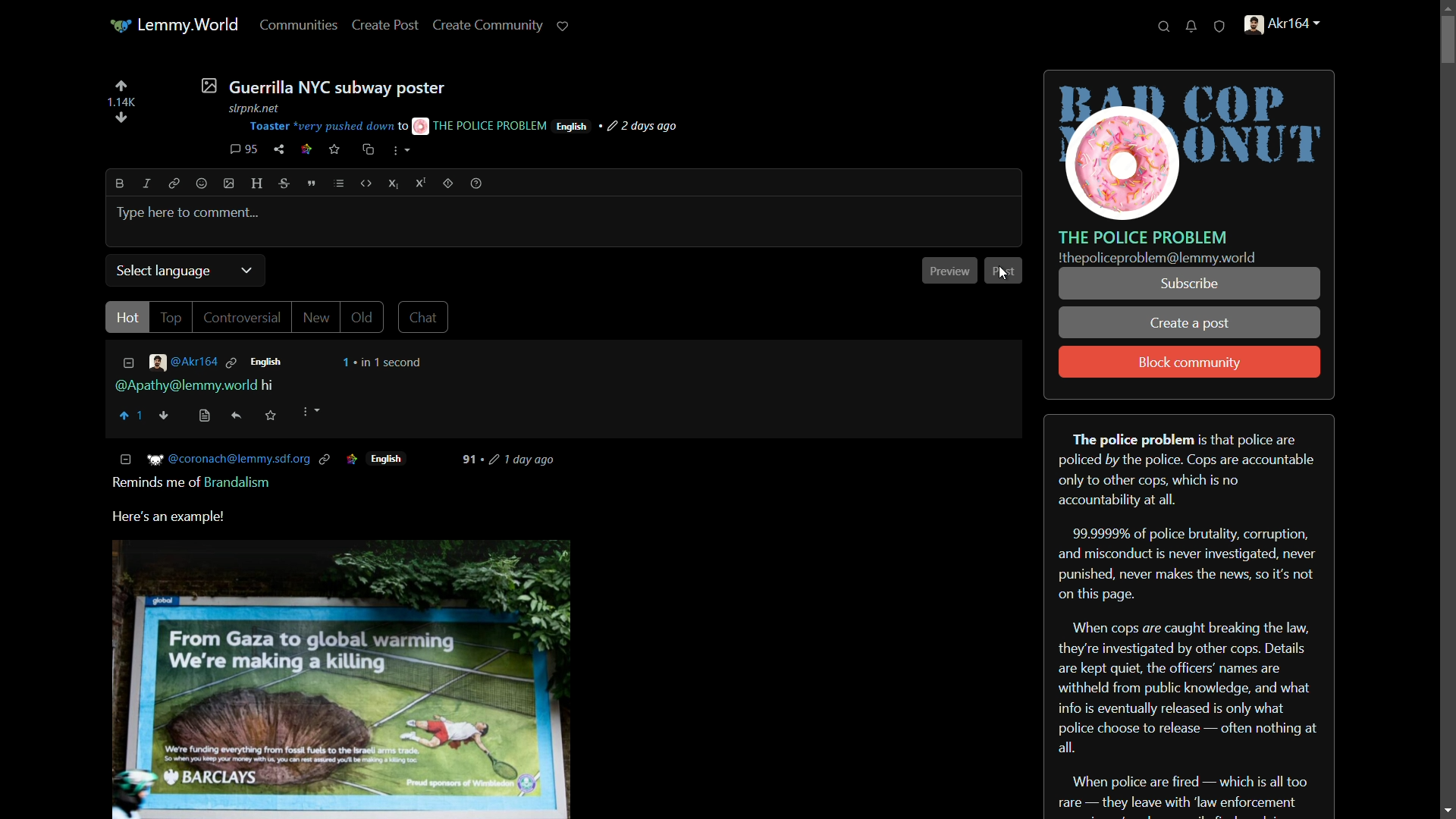 The width and height of the screenshot is (1456, 819). What do you see at coordinates (204, 416) in the screenshot?
I see `view source` at bounding box center [204, 416].